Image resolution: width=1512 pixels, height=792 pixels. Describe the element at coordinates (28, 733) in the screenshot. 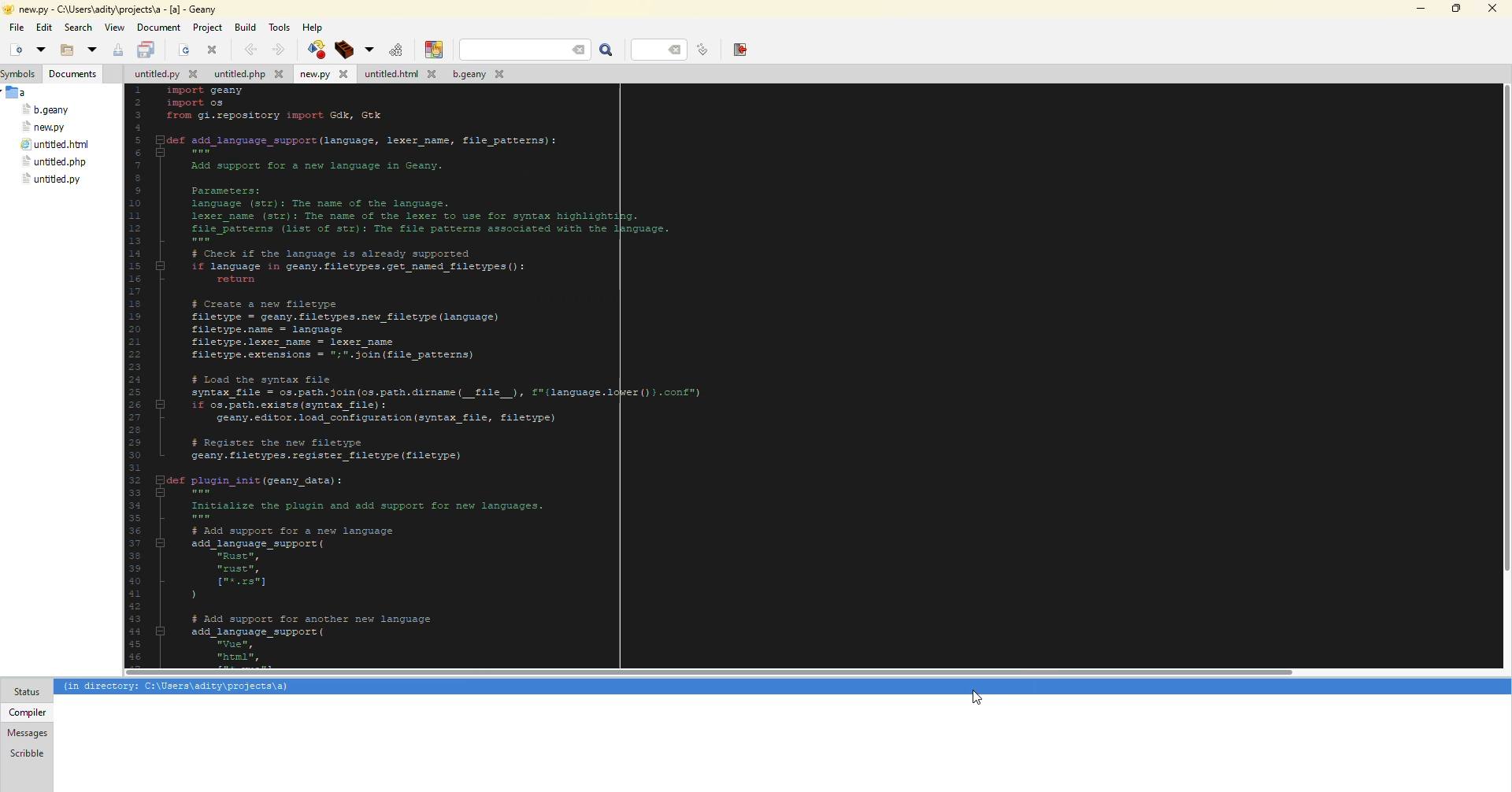

I see `messages` at that location.